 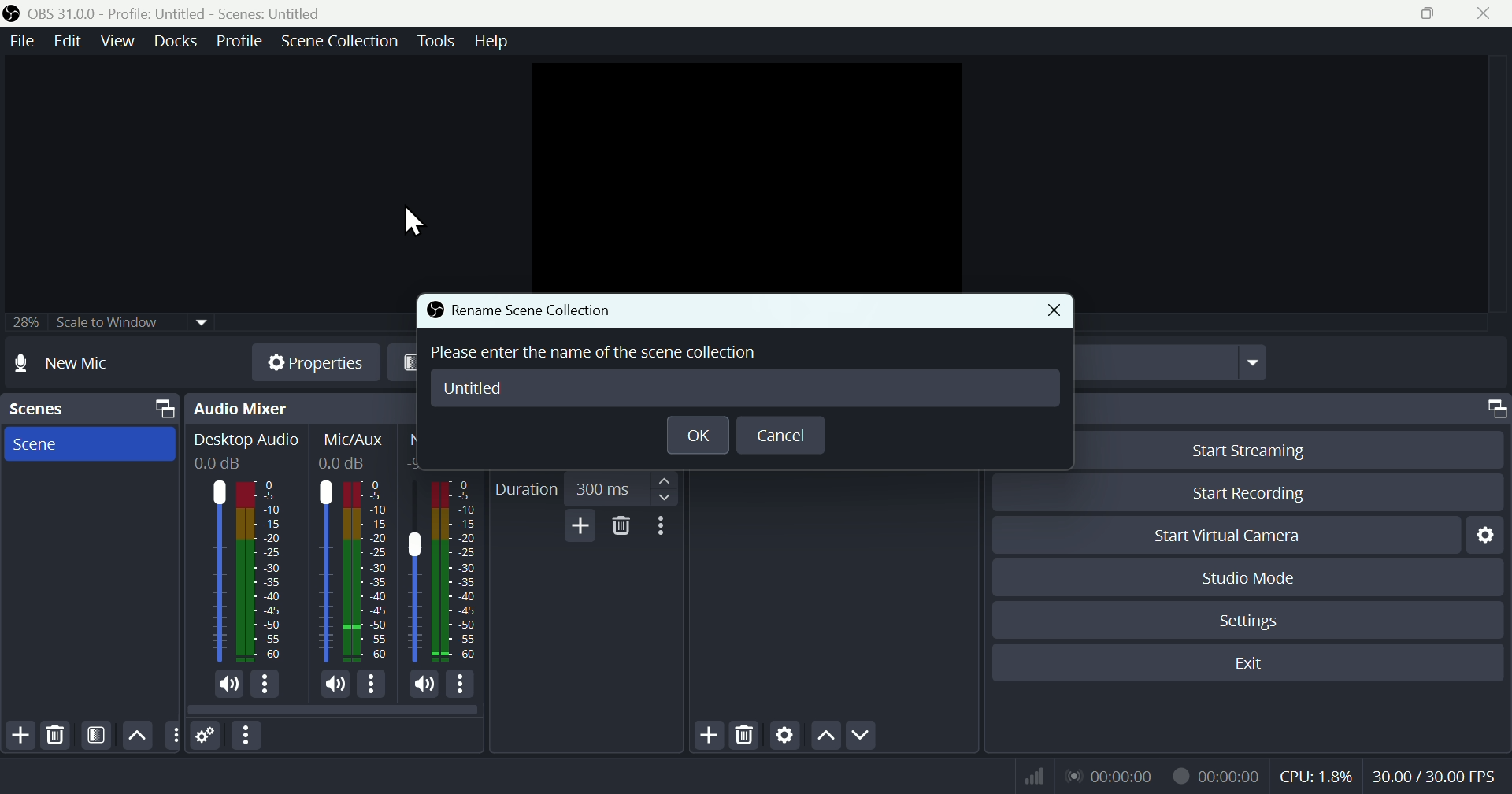 I want to click on Exit, so click(x=1251, y=665).